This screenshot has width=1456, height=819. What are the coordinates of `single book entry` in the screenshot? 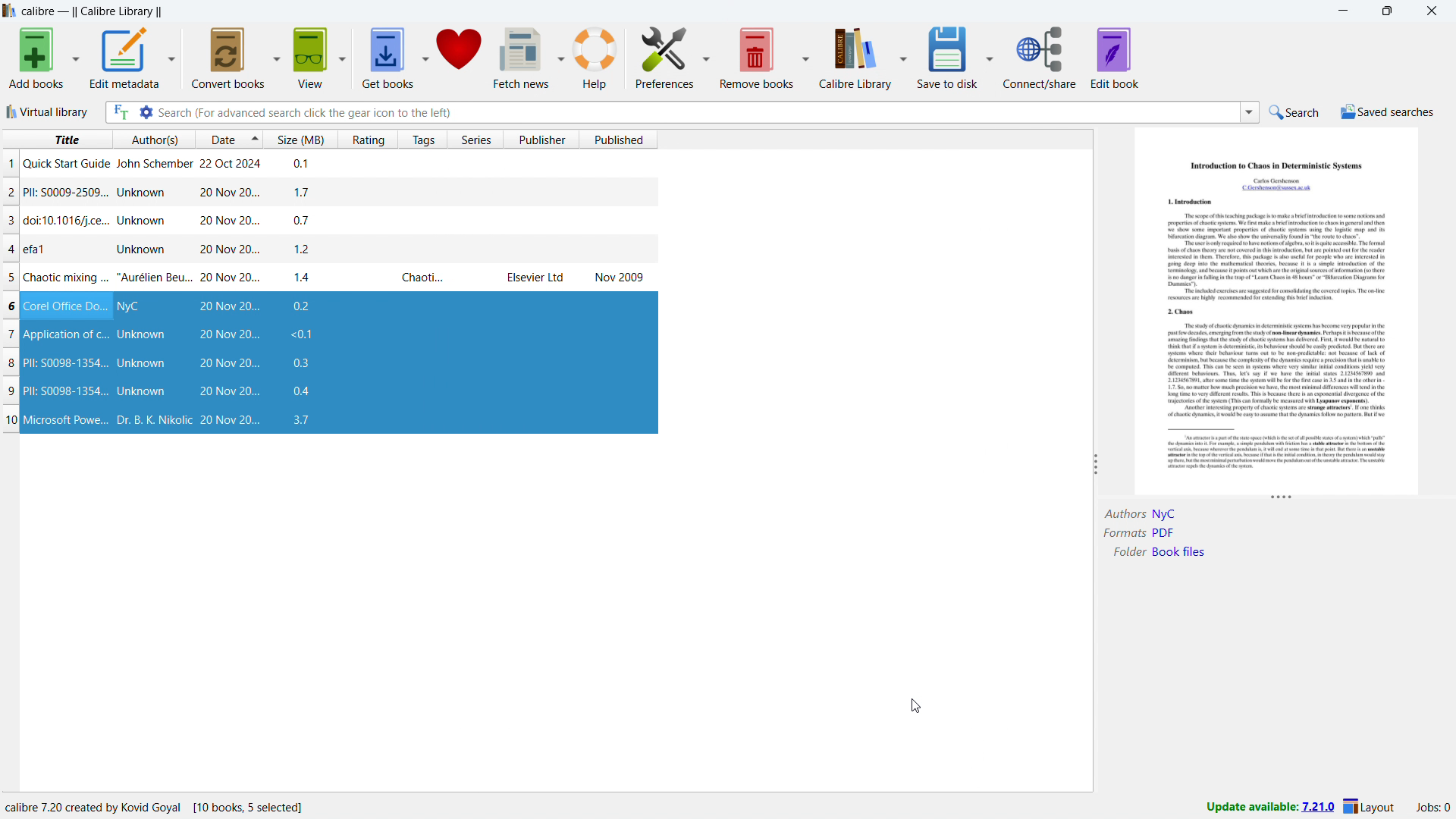 It's located at (326, 221).